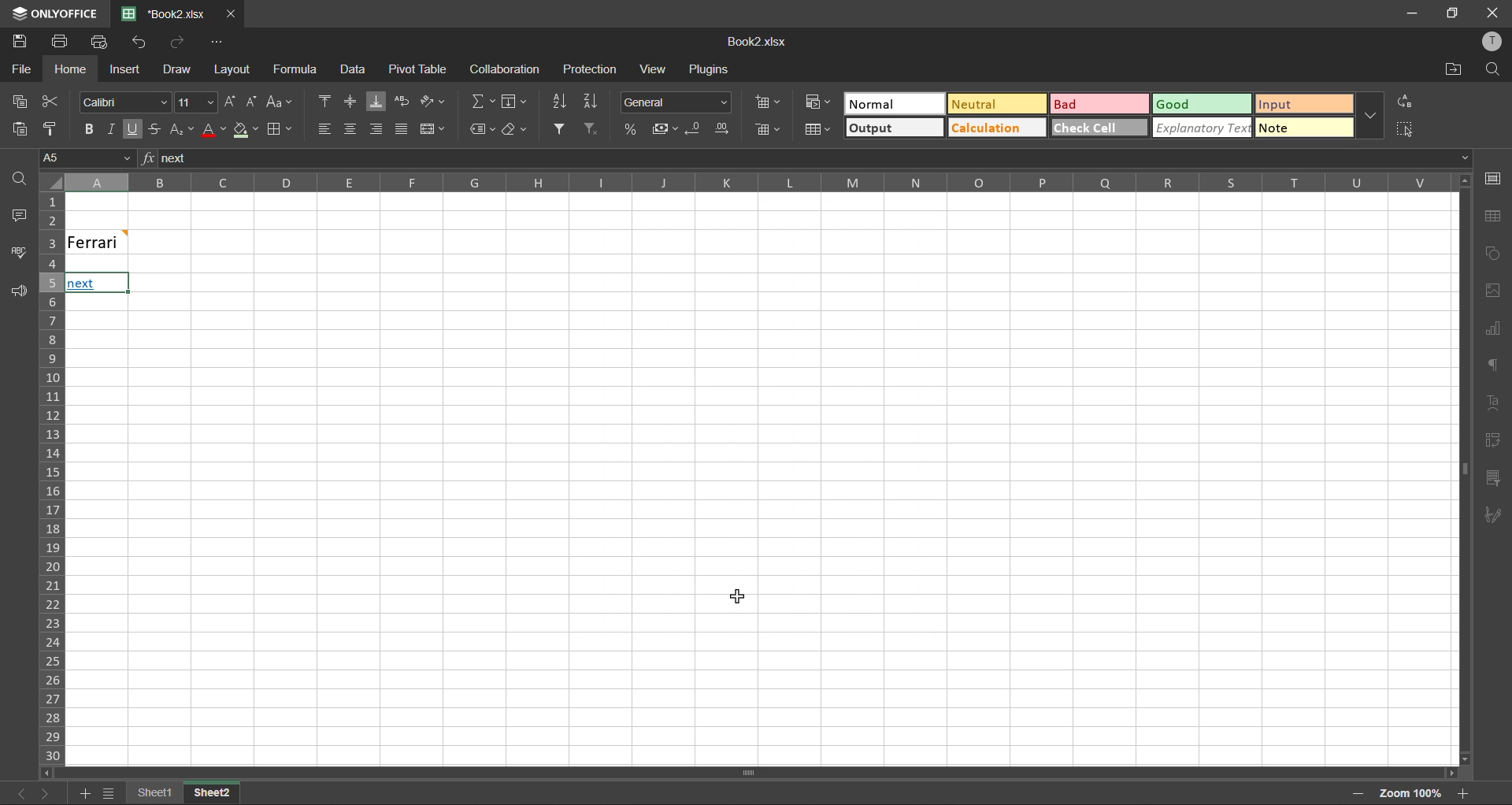 The image size is (1512, 805). What do you see at coordinates (418, 70) in the screenshot?
I see `pivot table` at bounding box center [418, 70].